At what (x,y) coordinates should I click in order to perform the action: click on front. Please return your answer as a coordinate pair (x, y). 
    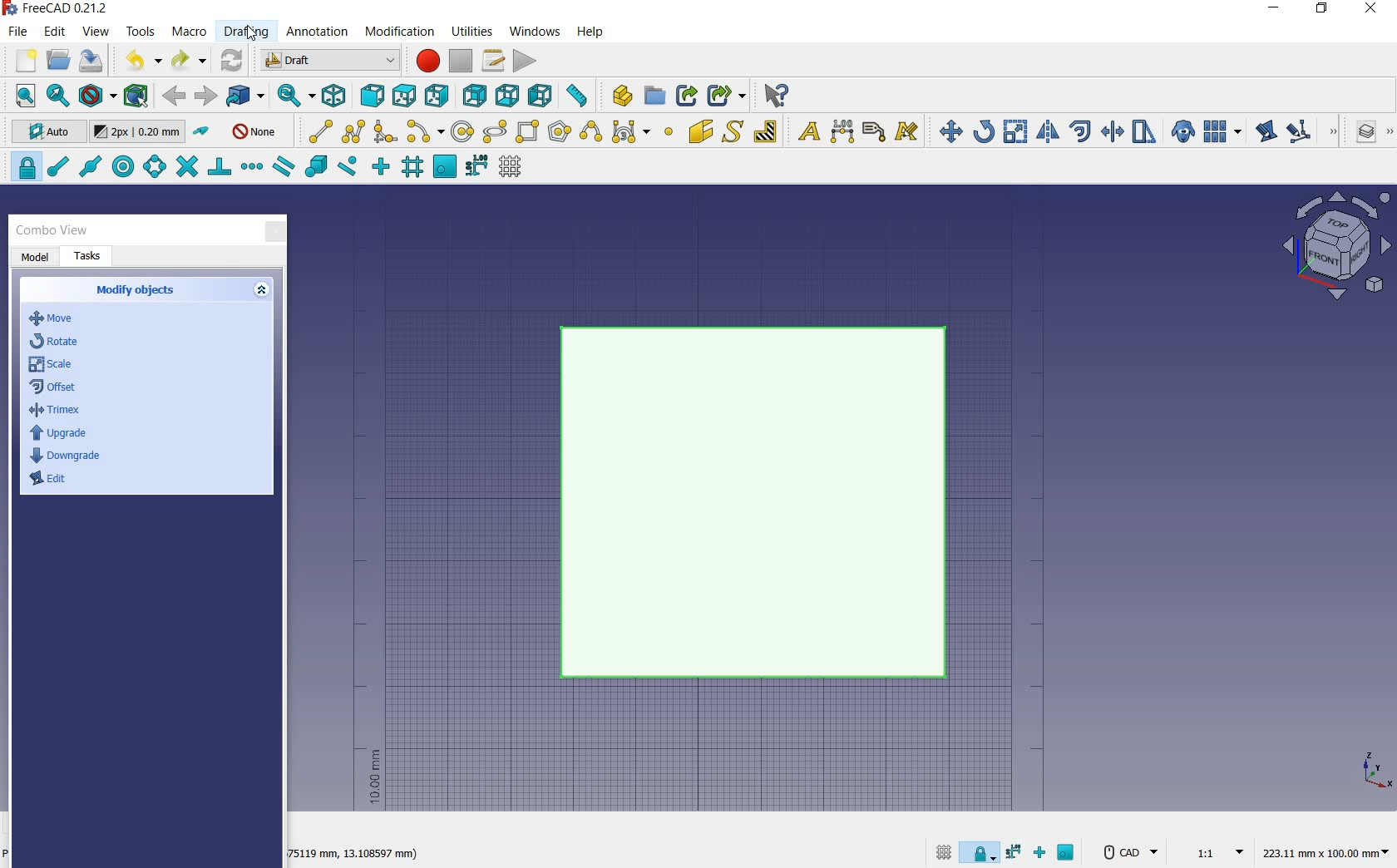
    Looking at the image, I should click on (369, 96).